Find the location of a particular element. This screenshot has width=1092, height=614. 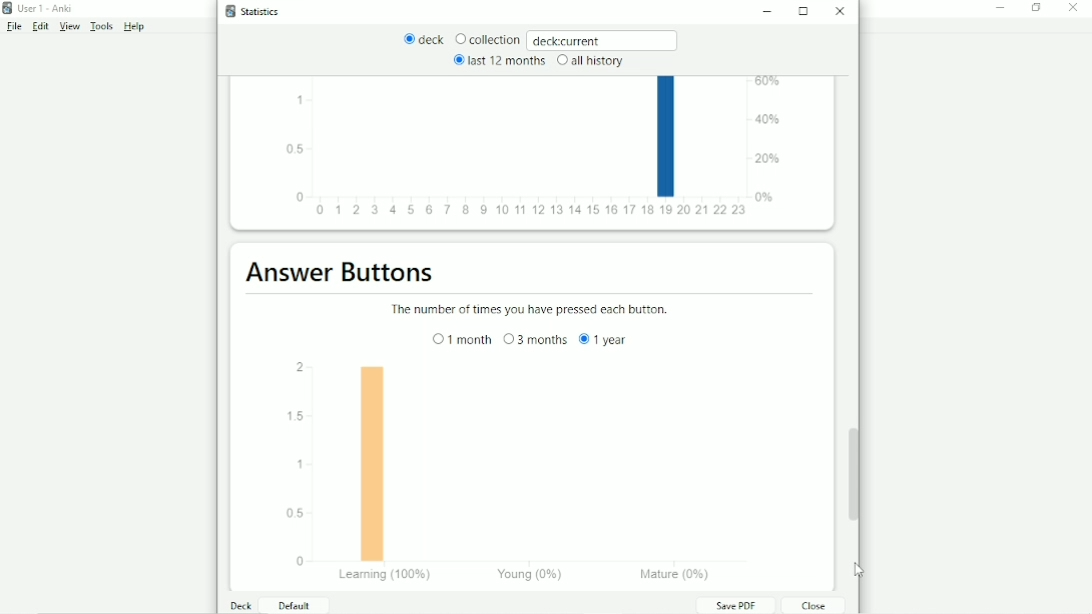

Close is located at coordinates (1076, 8).